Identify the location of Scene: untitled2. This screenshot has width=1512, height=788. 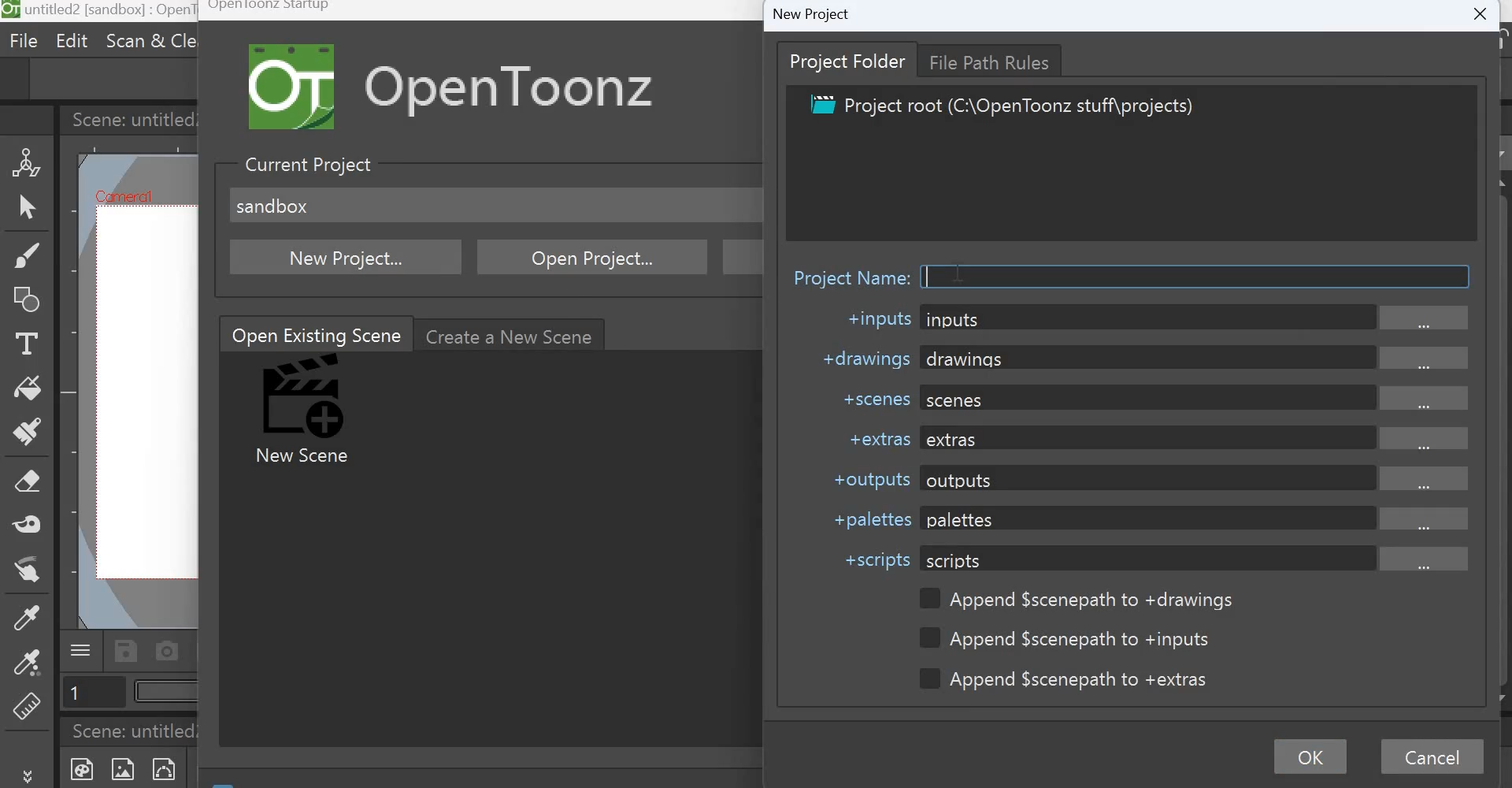
(139, 731).